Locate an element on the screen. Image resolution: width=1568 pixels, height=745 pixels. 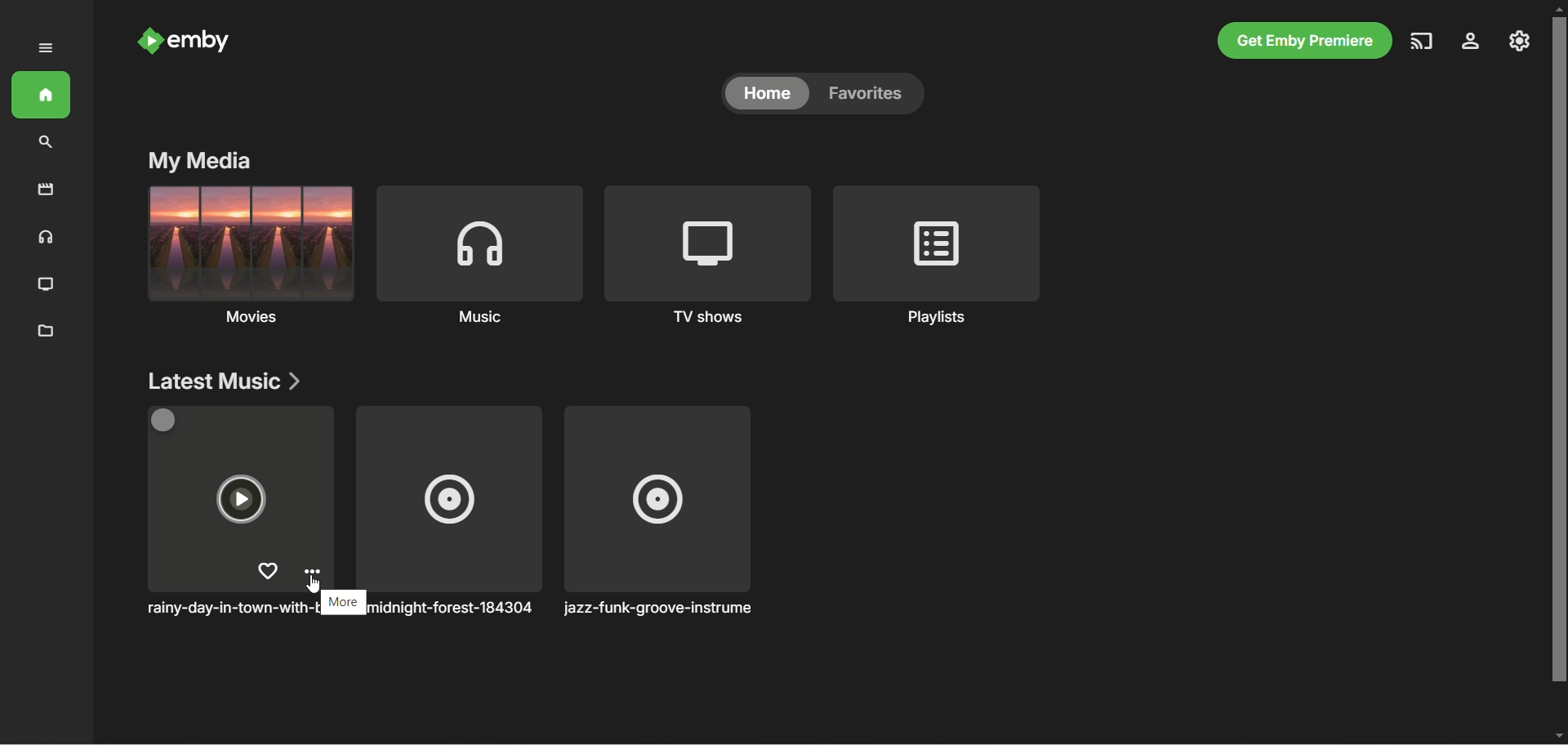
home is located at coordinates (767, 92).